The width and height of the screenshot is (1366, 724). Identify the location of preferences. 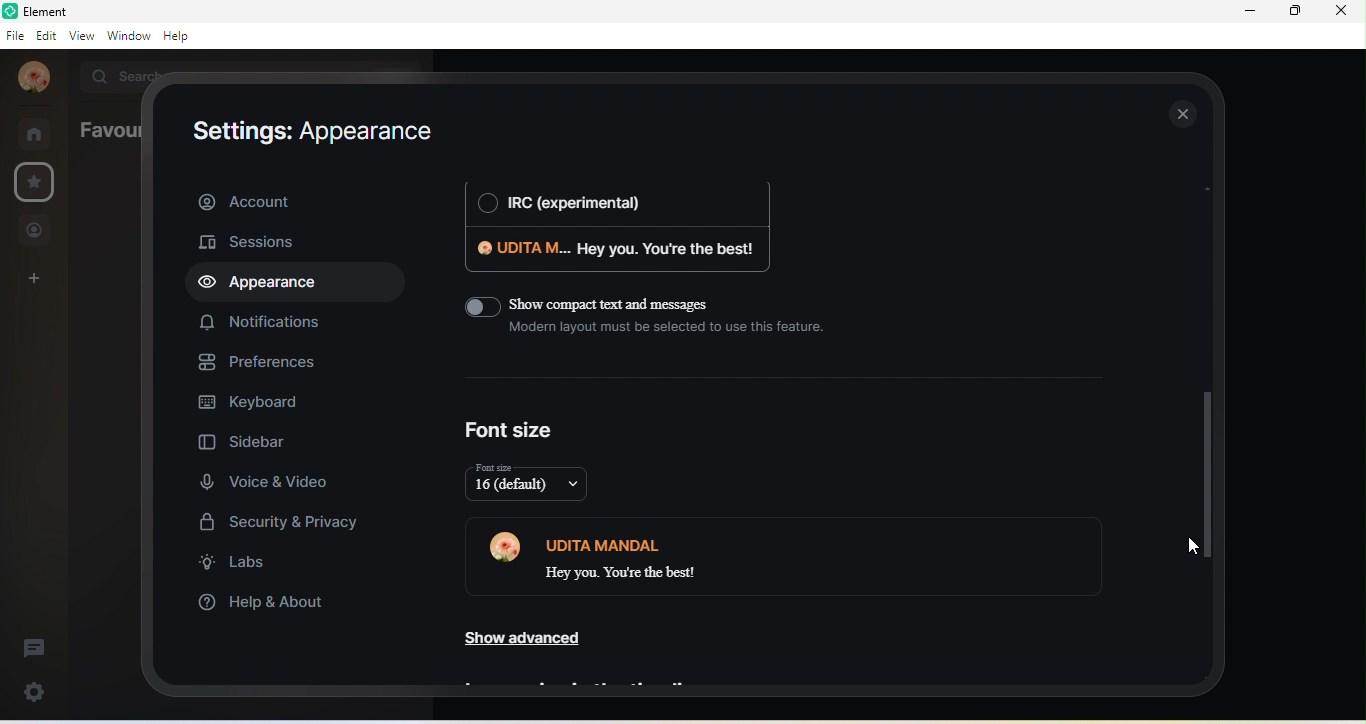
(257, 361).